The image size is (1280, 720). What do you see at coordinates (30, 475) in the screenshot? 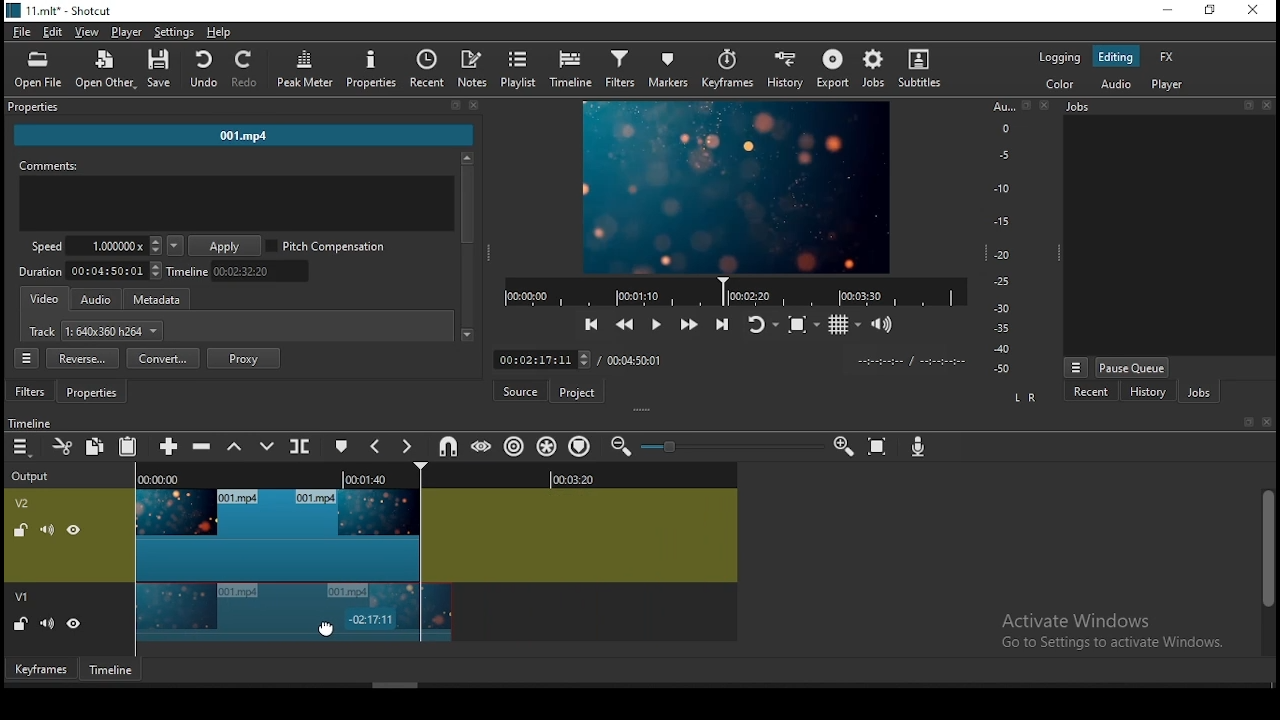
I see `OUTPUT` at bounding box center [30, 475].